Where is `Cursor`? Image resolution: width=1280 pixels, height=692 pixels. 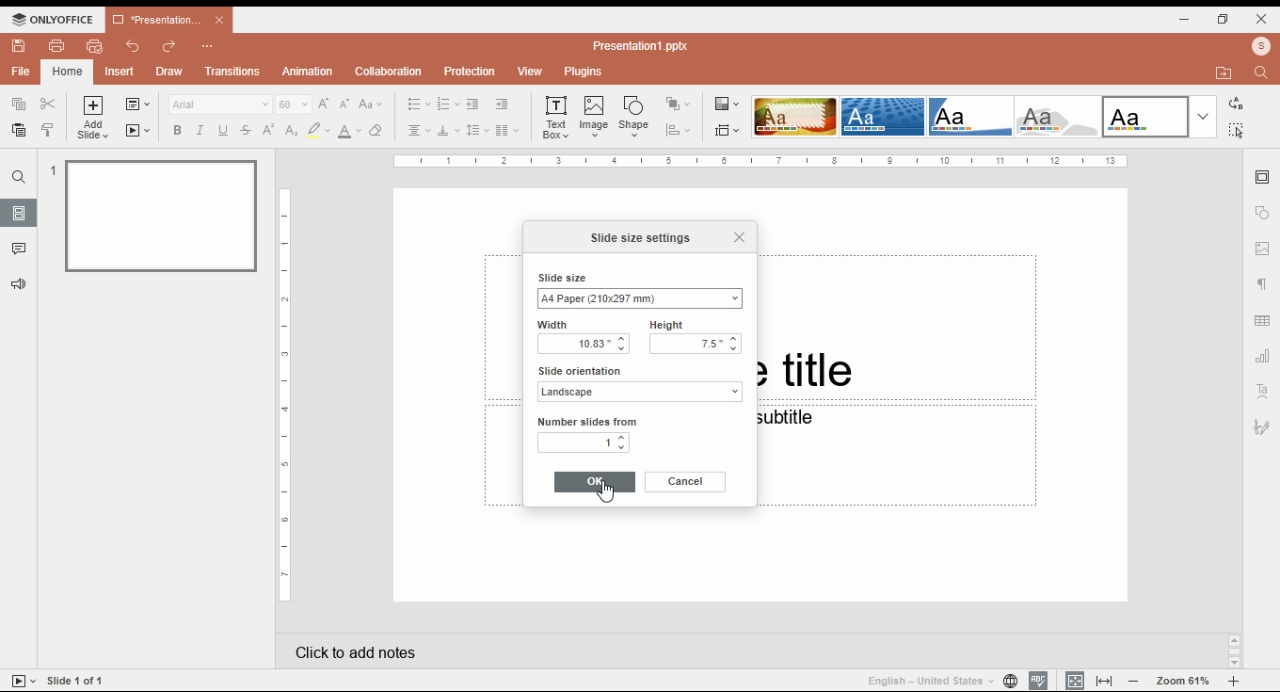
Cursor is located at coordinates (602, 493).